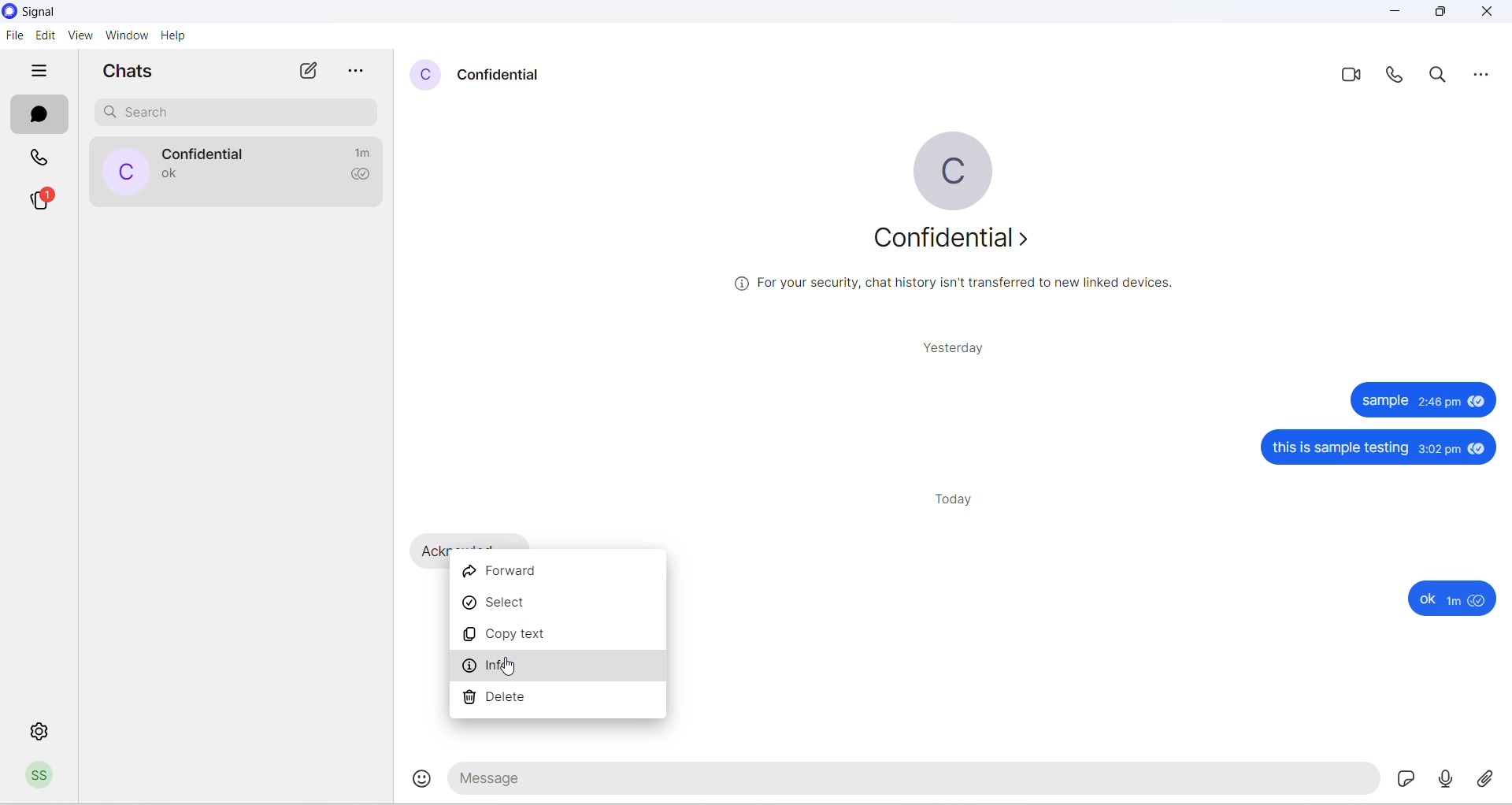 Image resolution: width=1512 pixels, height=805 pixels. Describe the element at coordinates (37, 114) in the screenshot. I see `chats` at that location.